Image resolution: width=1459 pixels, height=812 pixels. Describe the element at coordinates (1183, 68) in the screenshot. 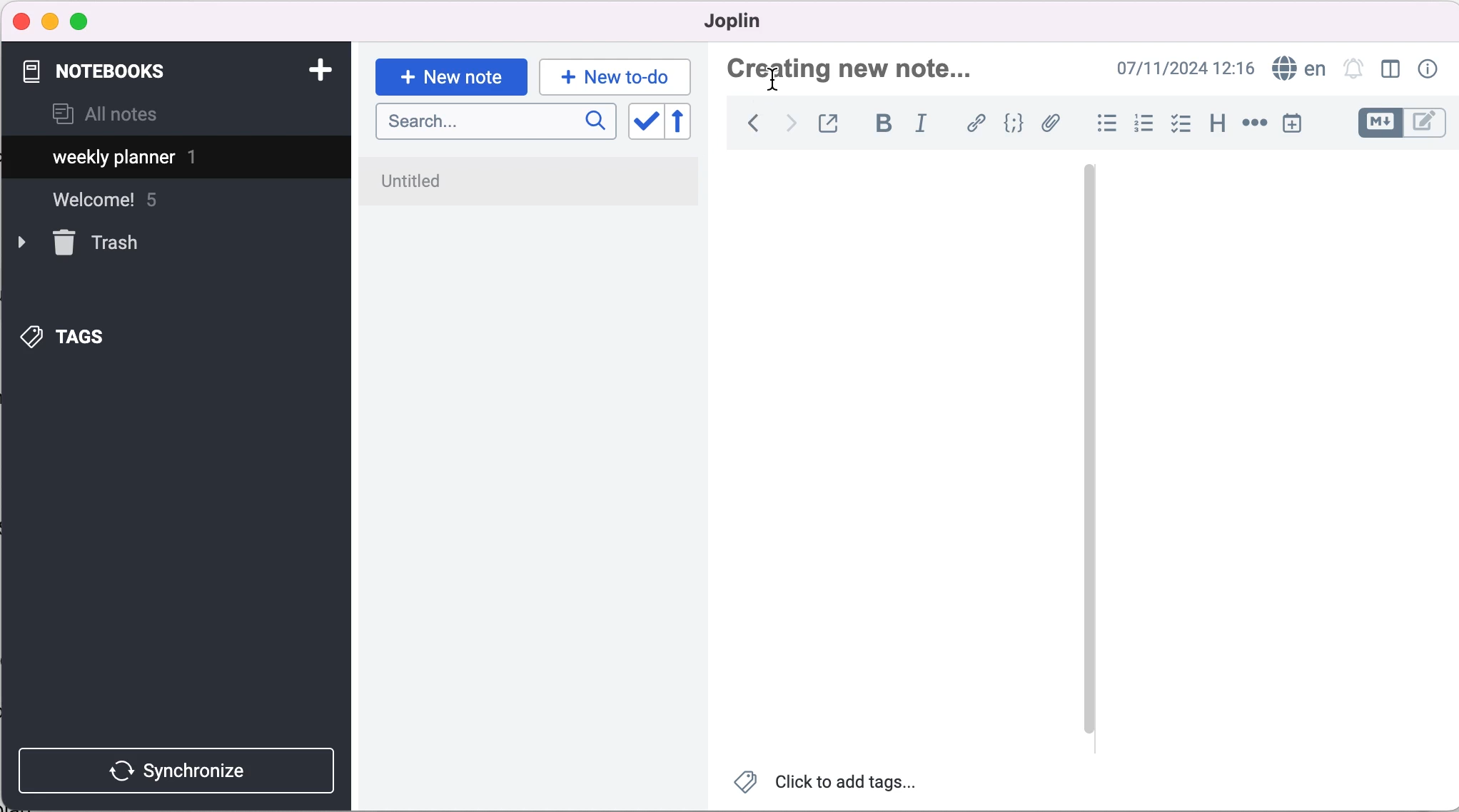

I see `07/11/2024 09:03` at that location.